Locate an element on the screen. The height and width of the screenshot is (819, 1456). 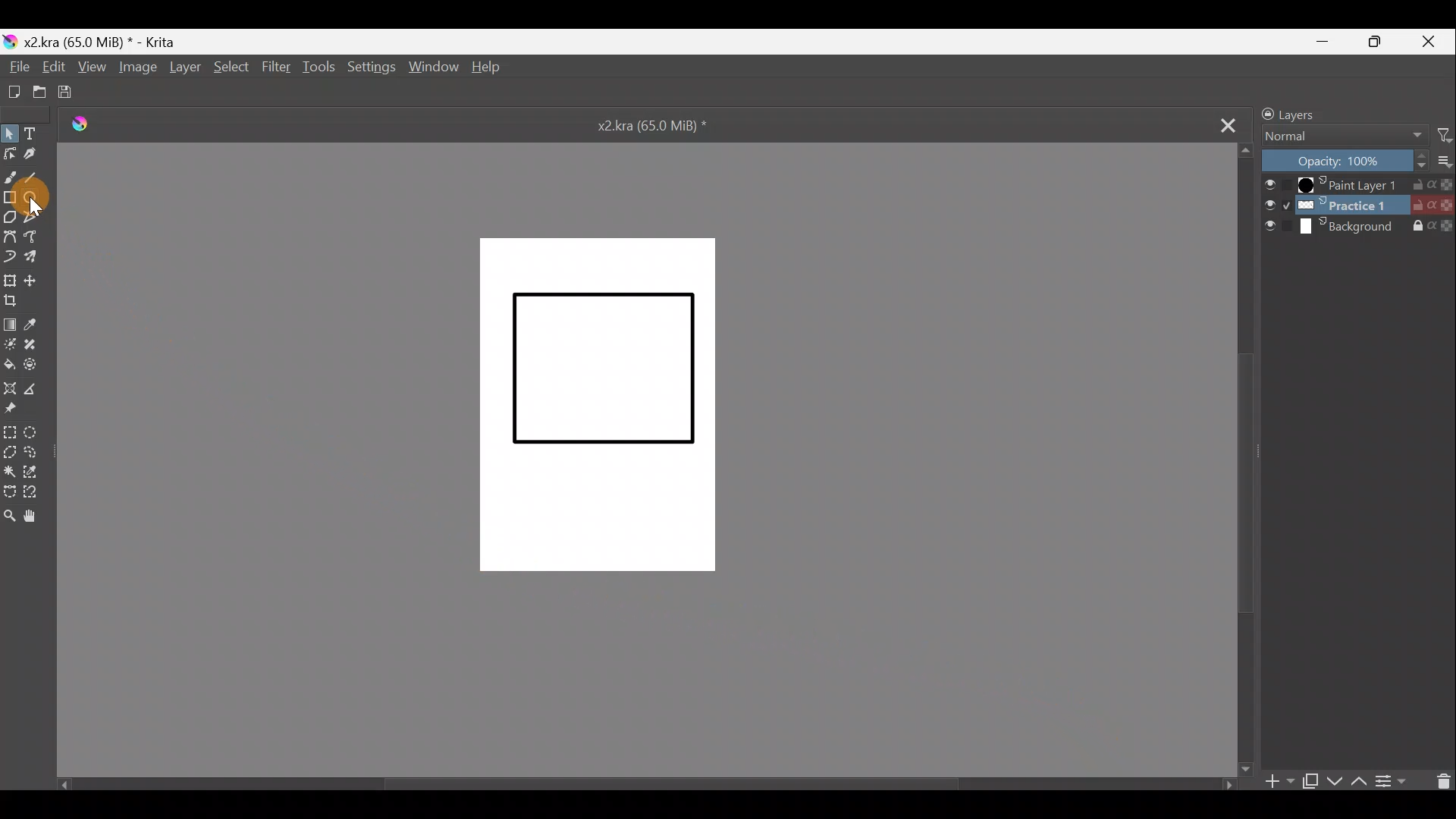
Freehand brush tool is located at coordinates (11, 174).